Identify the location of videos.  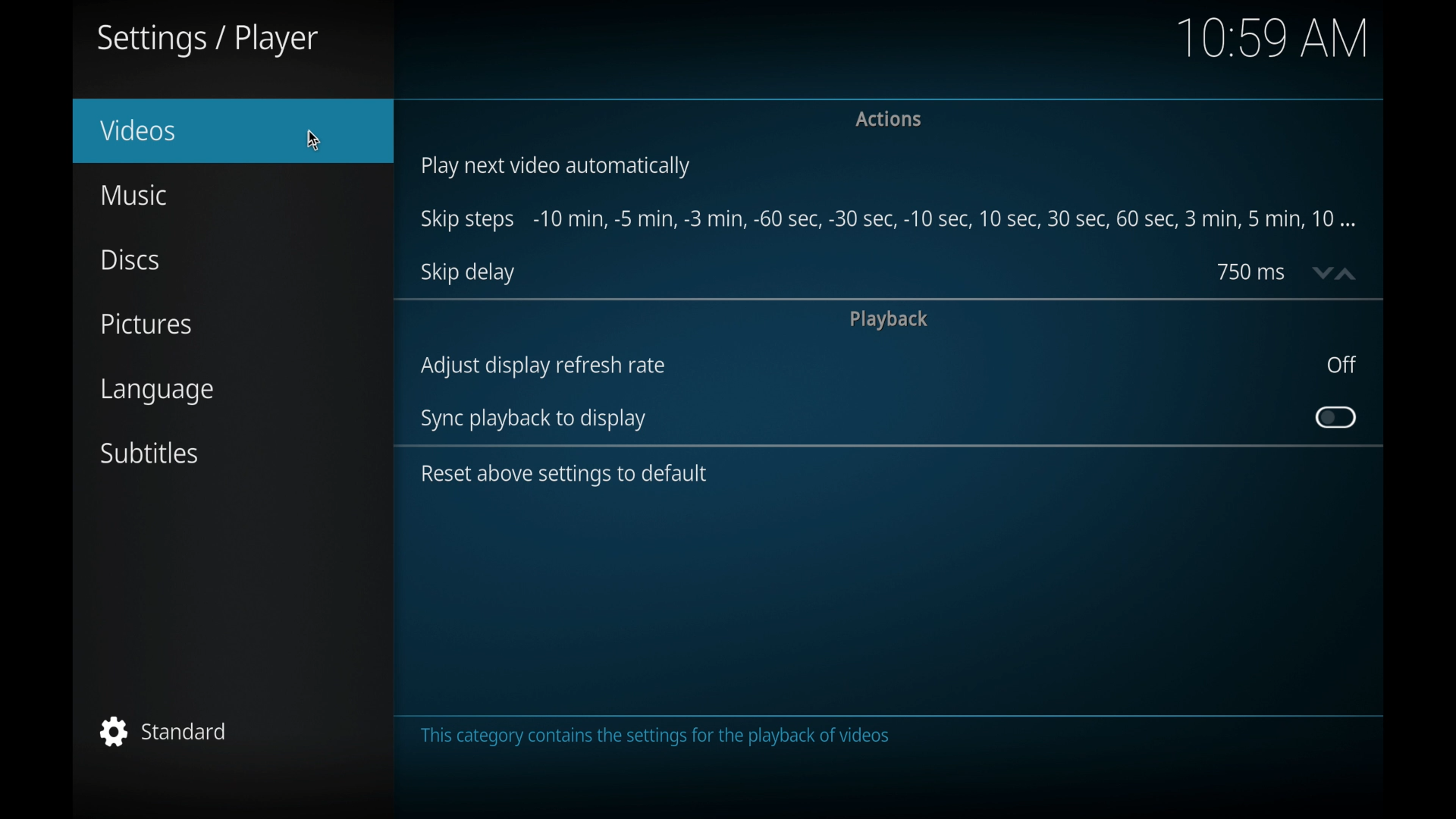
(138, 130).